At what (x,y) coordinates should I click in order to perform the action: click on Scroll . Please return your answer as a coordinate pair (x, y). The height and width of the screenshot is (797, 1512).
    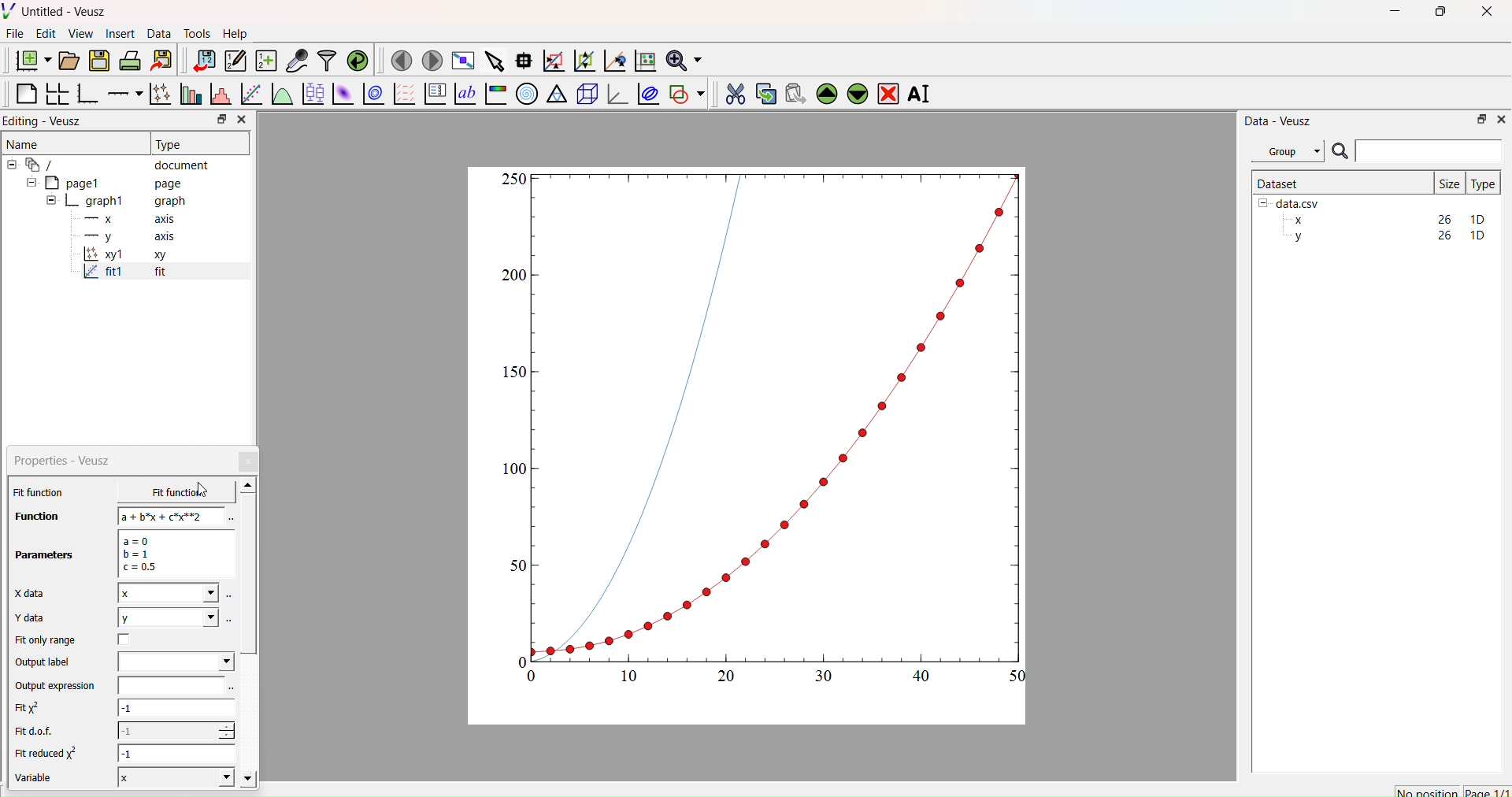
    Looking at the image, I should click on (249, 634).